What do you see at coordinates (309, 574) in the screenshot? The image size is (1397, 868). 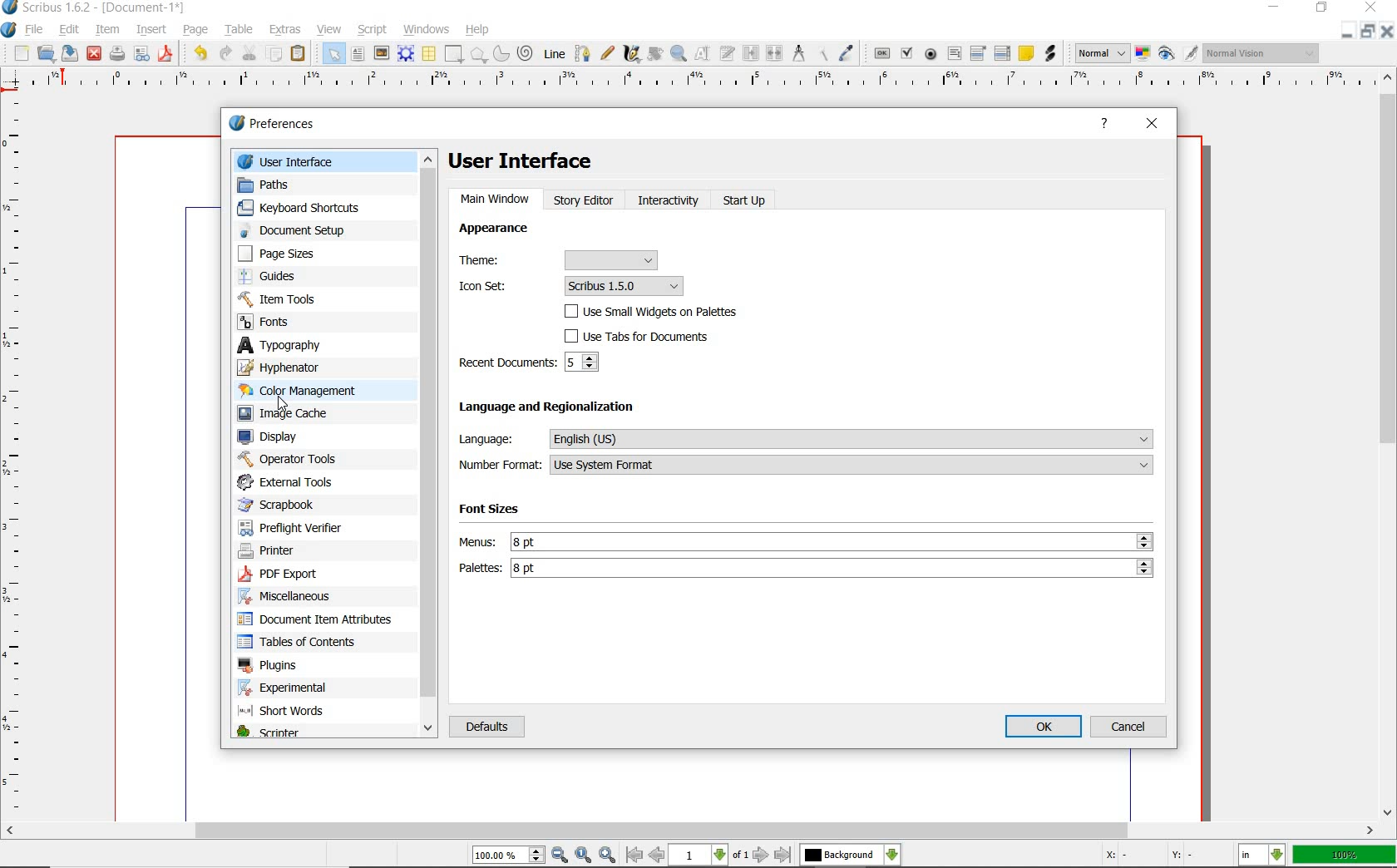 I see `pdf export` at bounding box center [309, 574].